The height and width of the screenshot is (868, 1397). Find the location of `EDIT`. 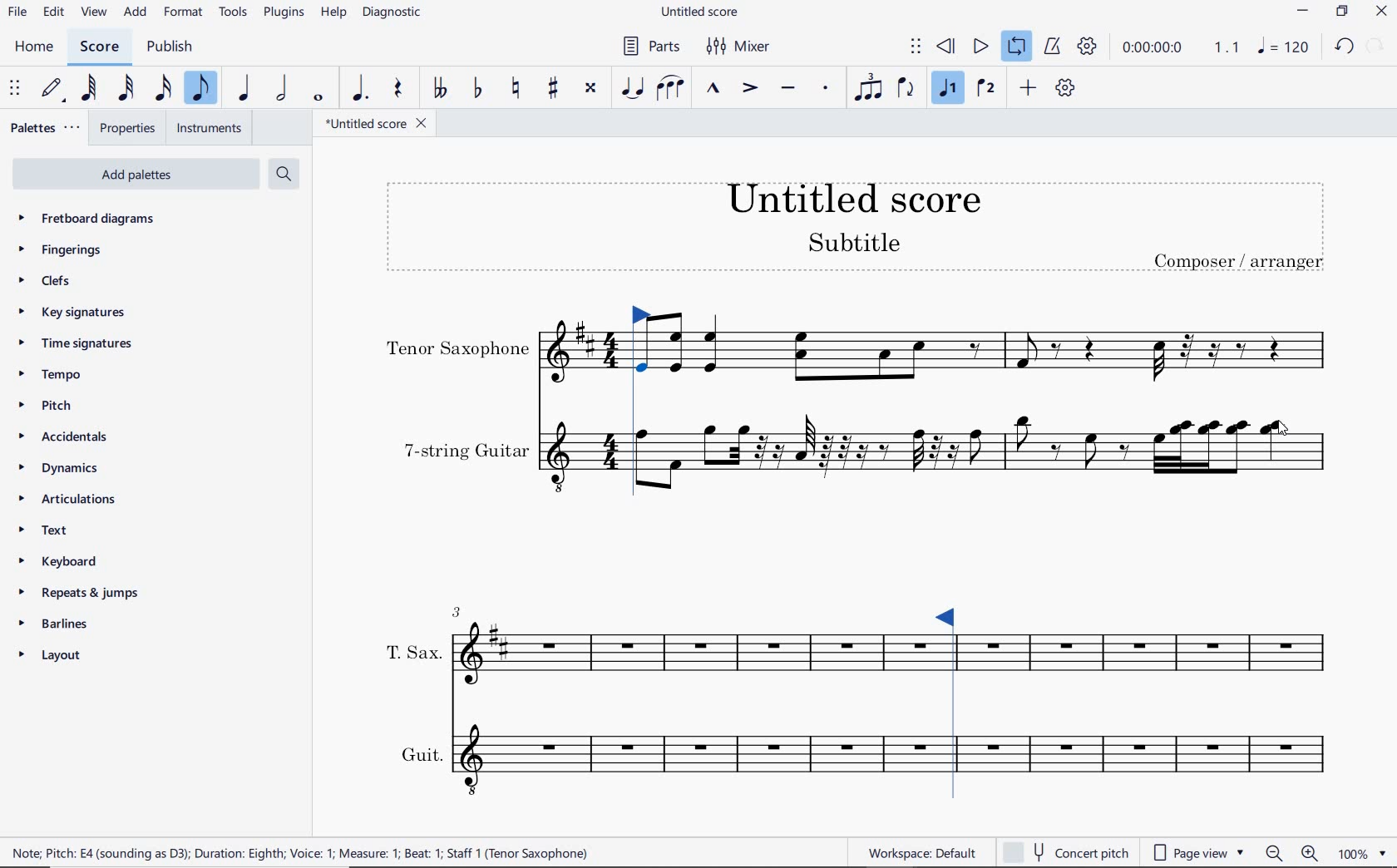

EDIT is located at coordinates (53, 13).